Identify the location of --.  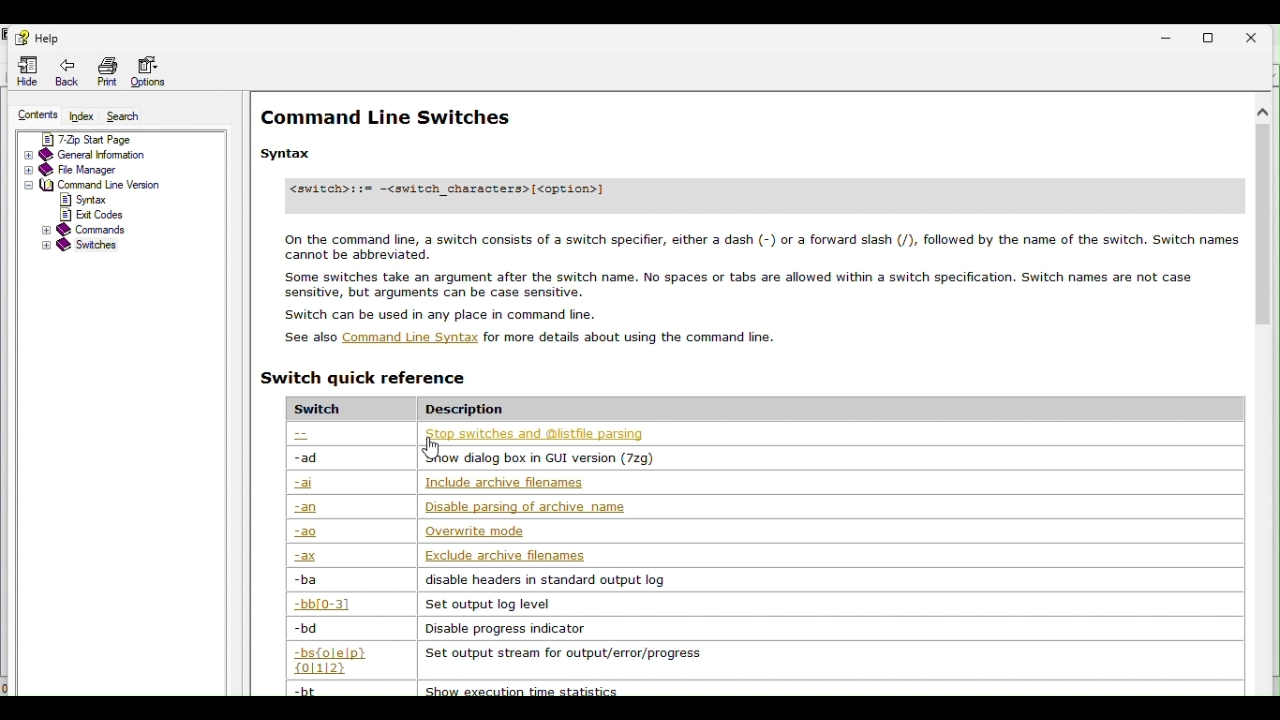
(306, 435).